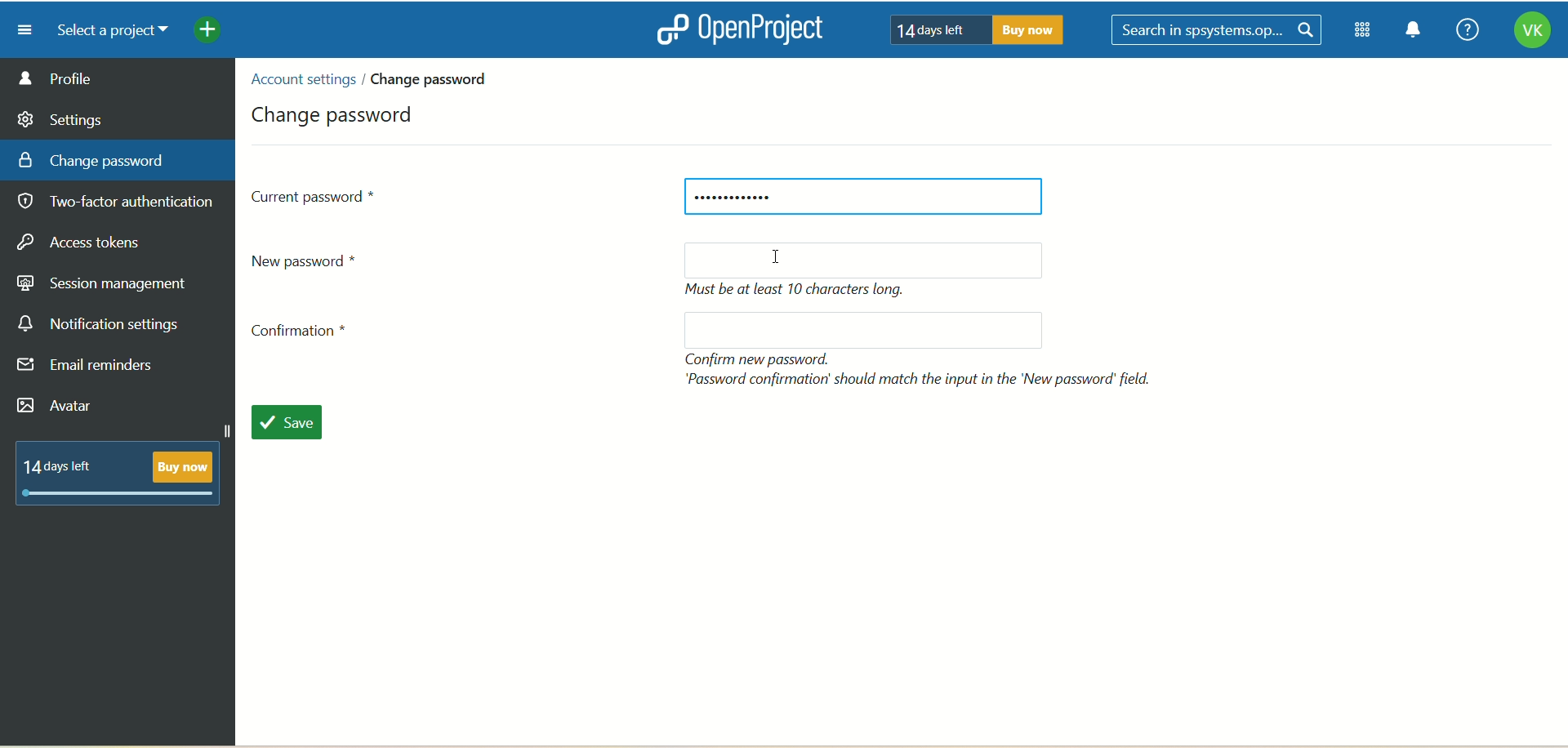 This screenshot has height=748, width=1568. I want to click on account, so click(1531, 33).